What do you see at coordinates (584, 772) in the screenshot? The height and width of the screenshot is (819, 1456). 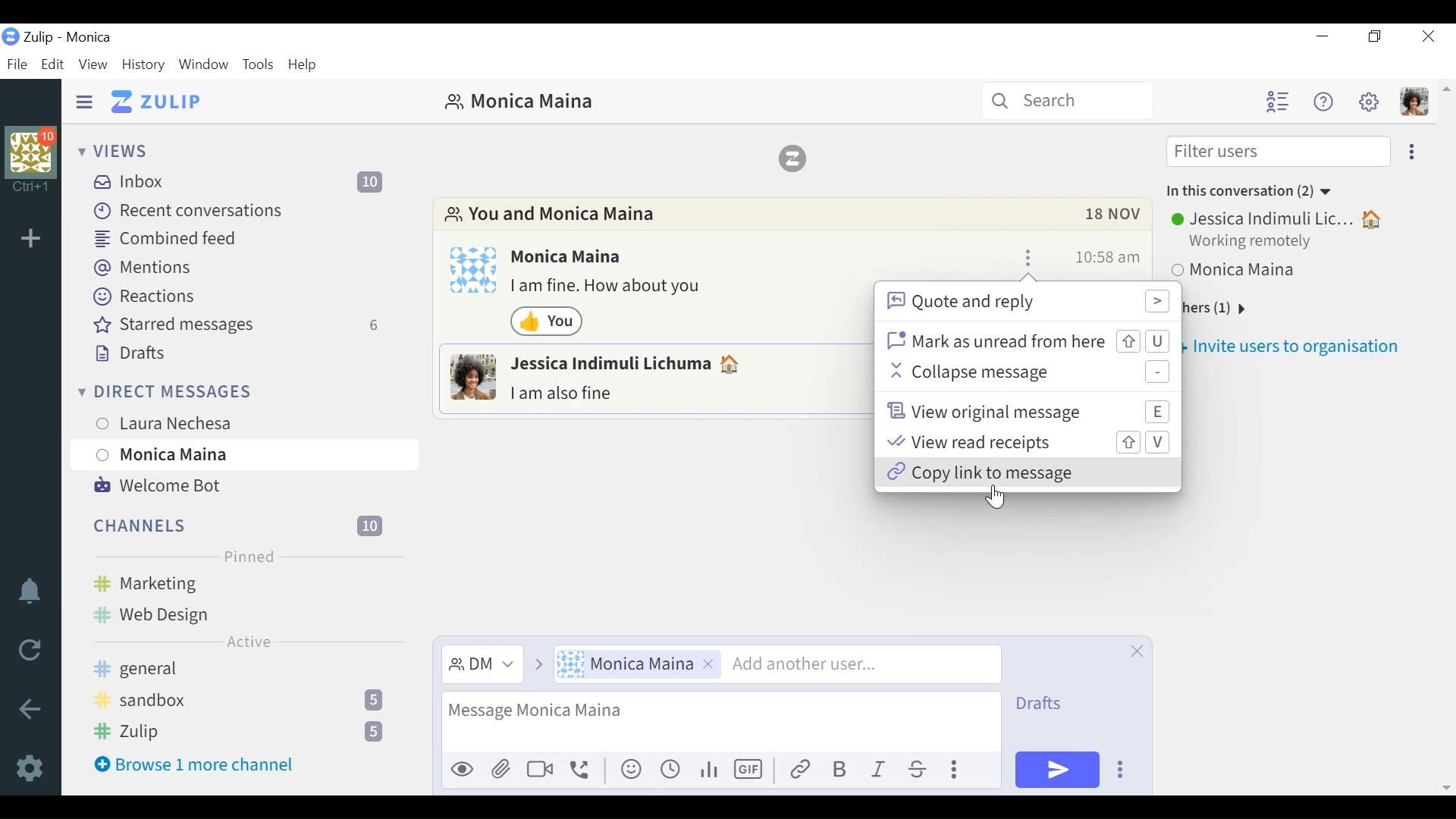 I see `call` at bounding box center [584, 772].